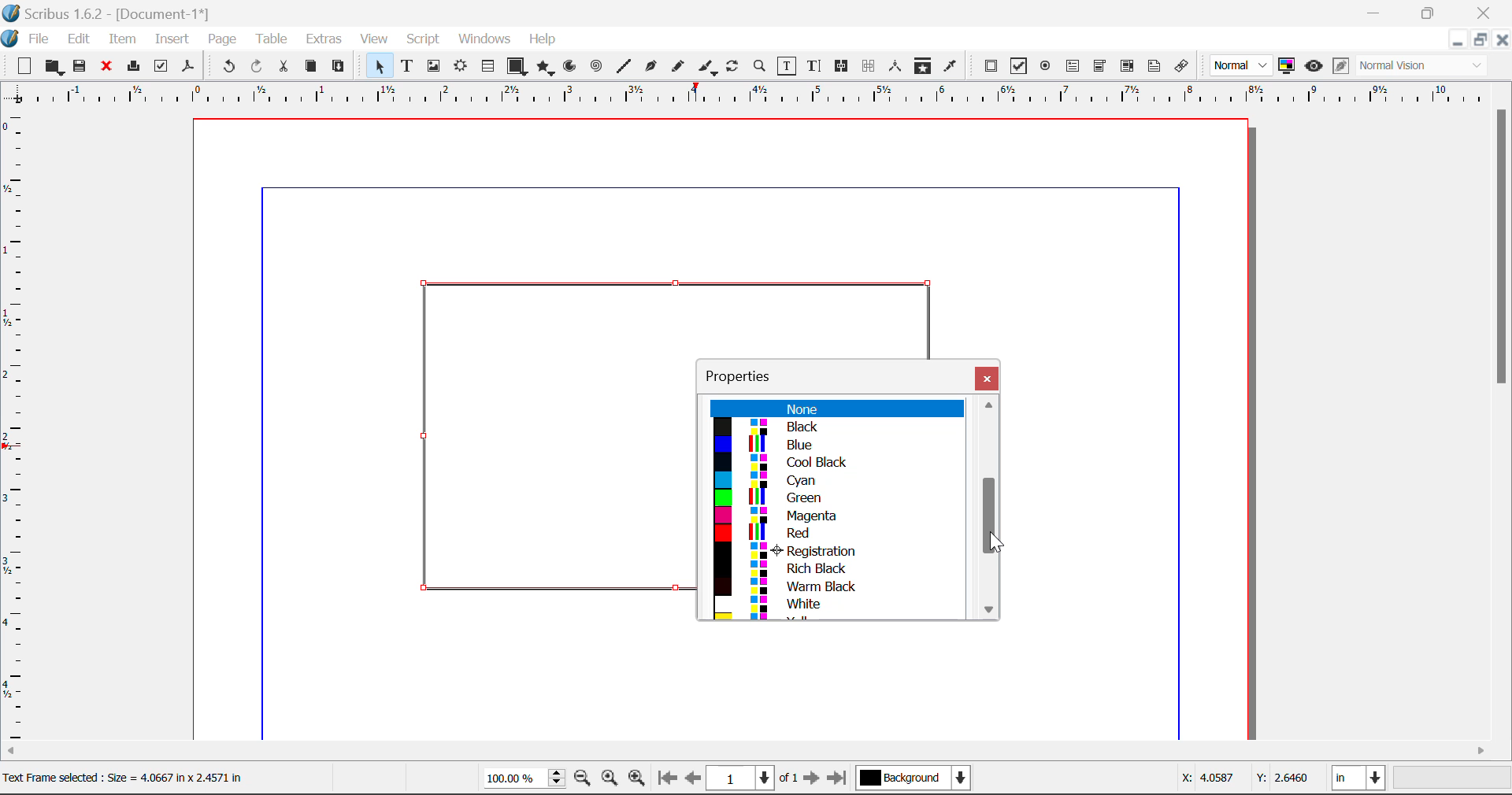  I want to click on Shapes, so click(517, 65).